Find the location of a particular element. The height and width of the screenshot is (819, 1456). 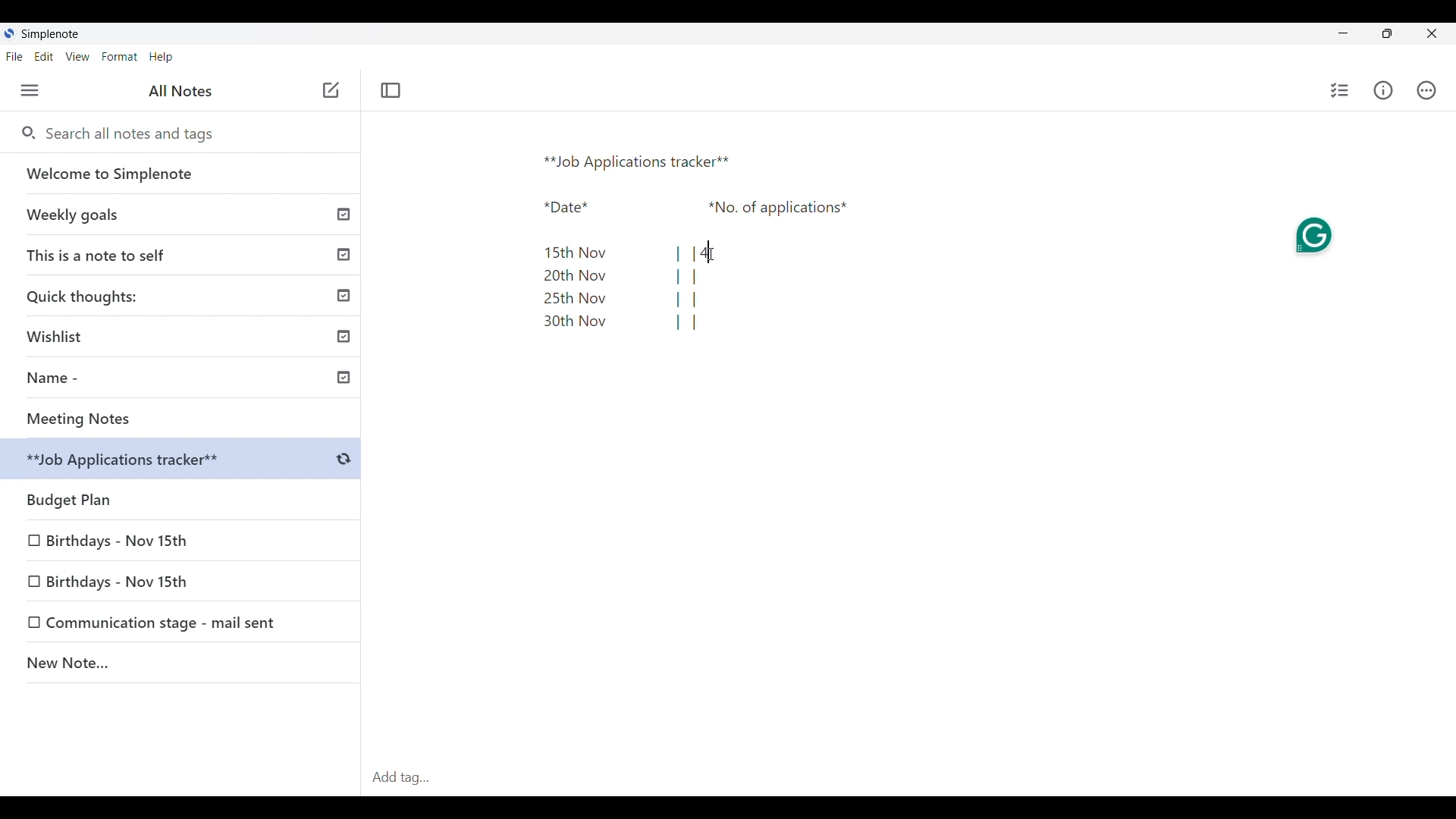

Name  is located at coordinates (187, 380).